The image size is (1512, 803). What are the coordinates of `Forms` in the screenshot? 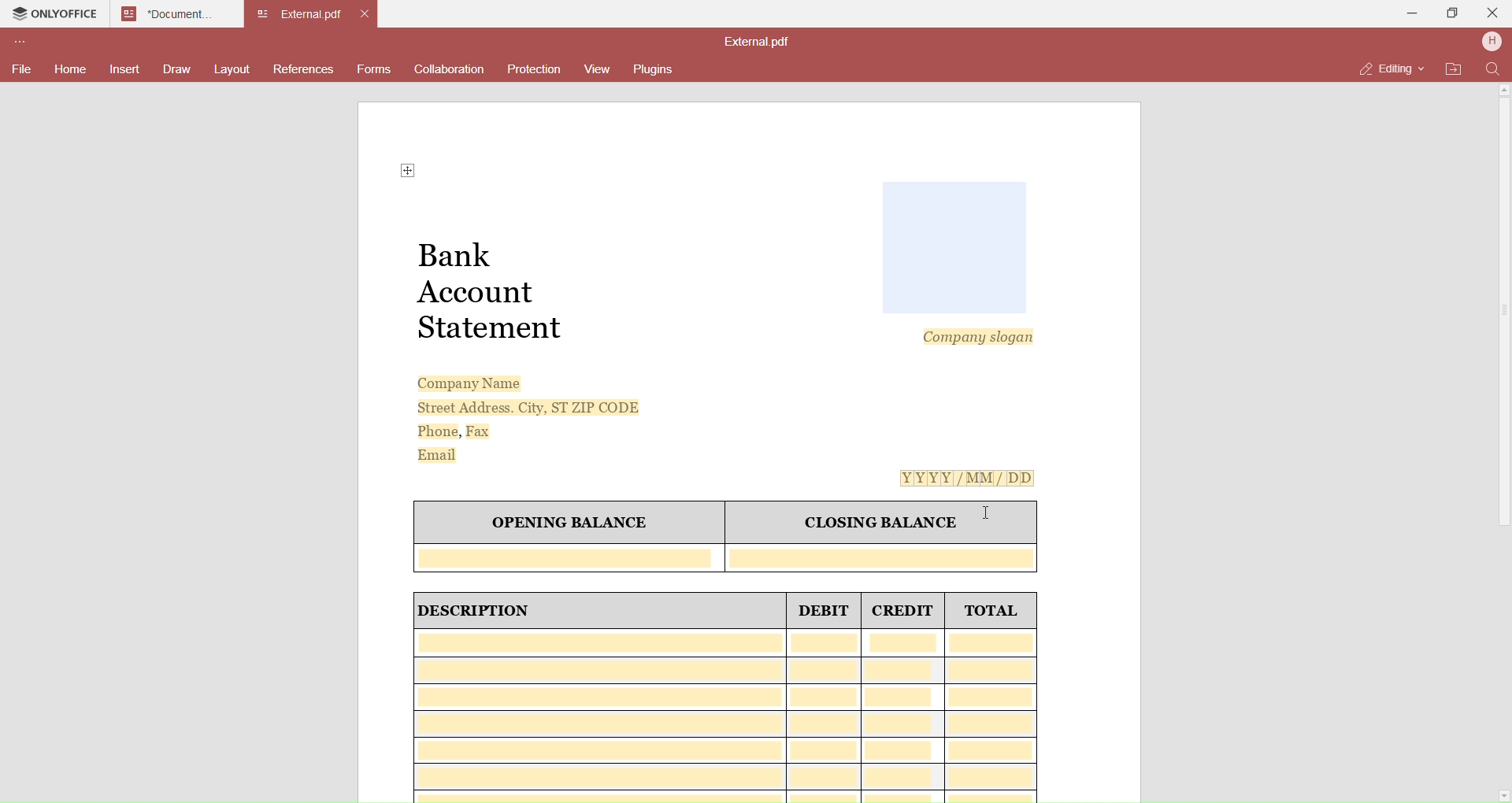 It's located at (374, 71).